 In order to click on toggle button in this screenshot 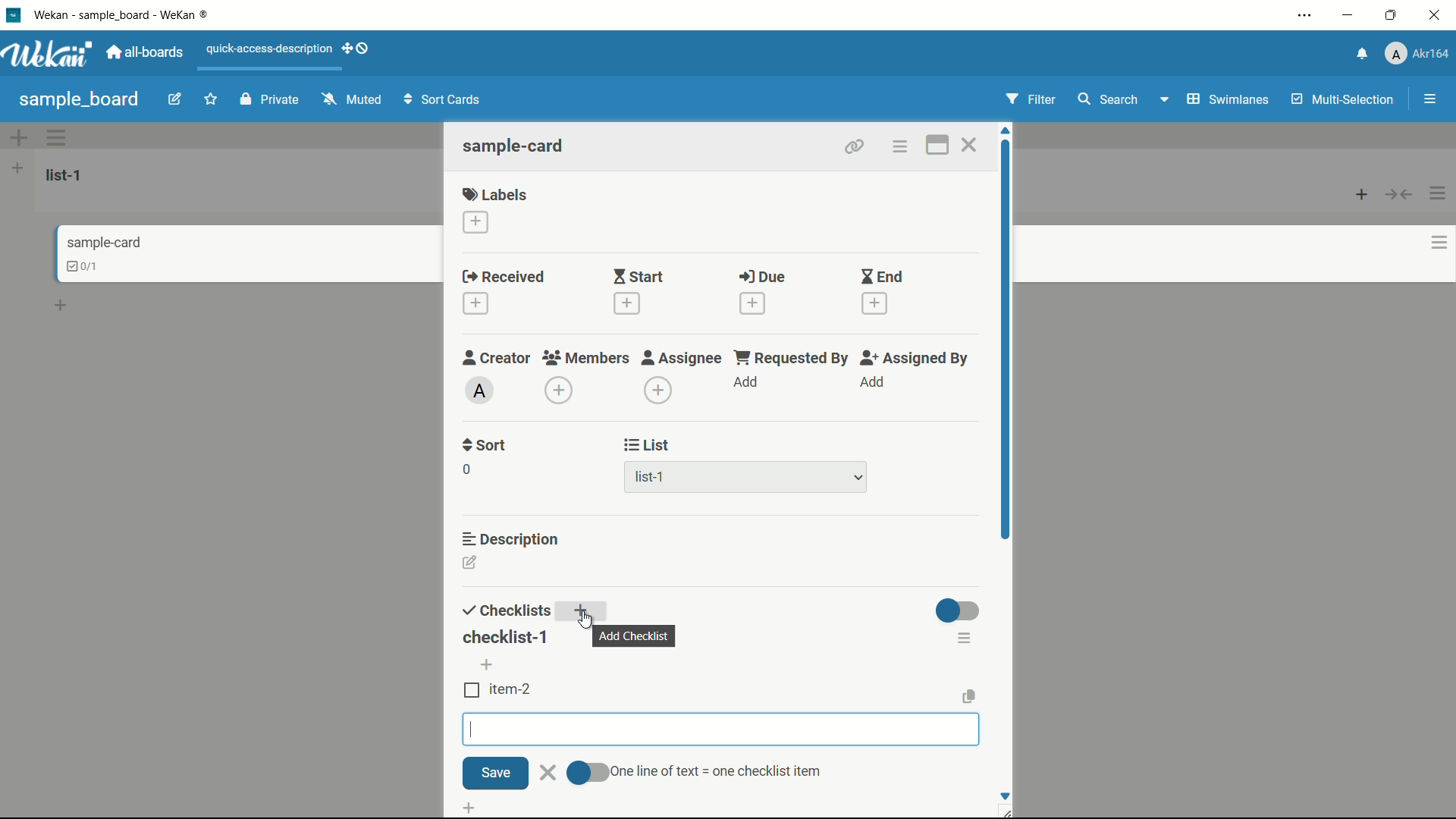, I will do `click(959, 610)`.